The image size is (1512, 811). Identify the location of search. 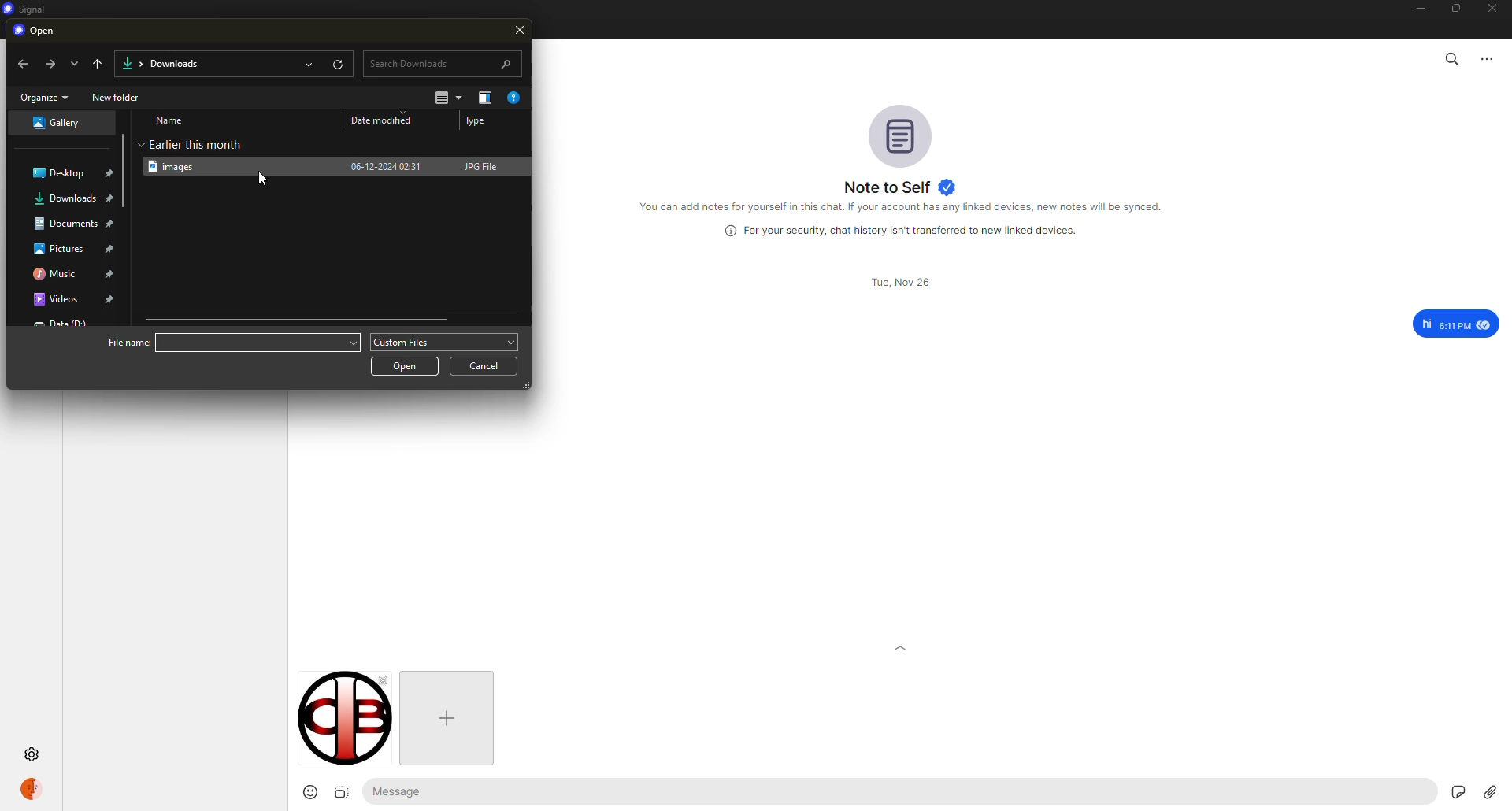
(1451, 57).